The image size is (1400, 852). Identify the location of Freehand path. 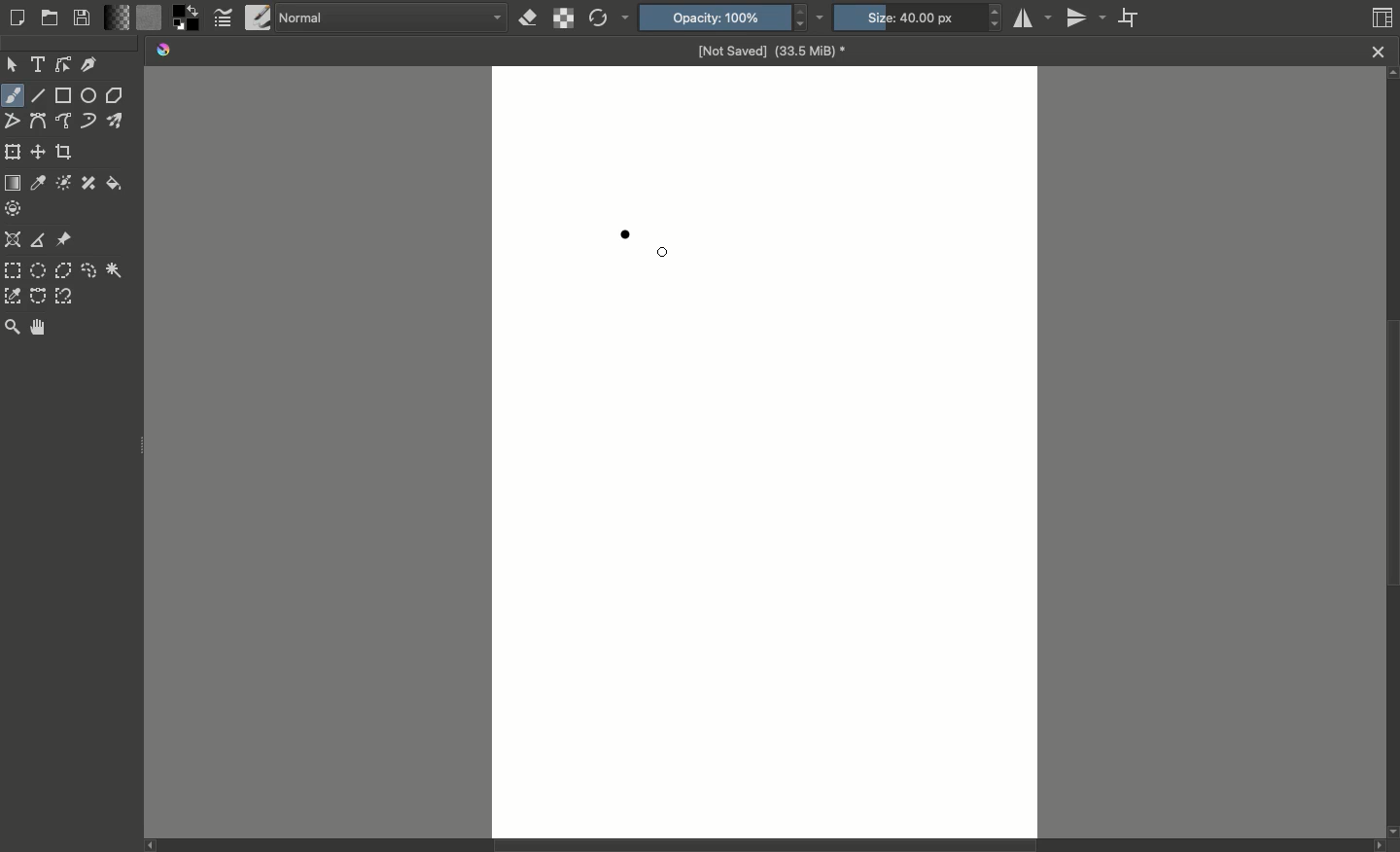
(65, 120).